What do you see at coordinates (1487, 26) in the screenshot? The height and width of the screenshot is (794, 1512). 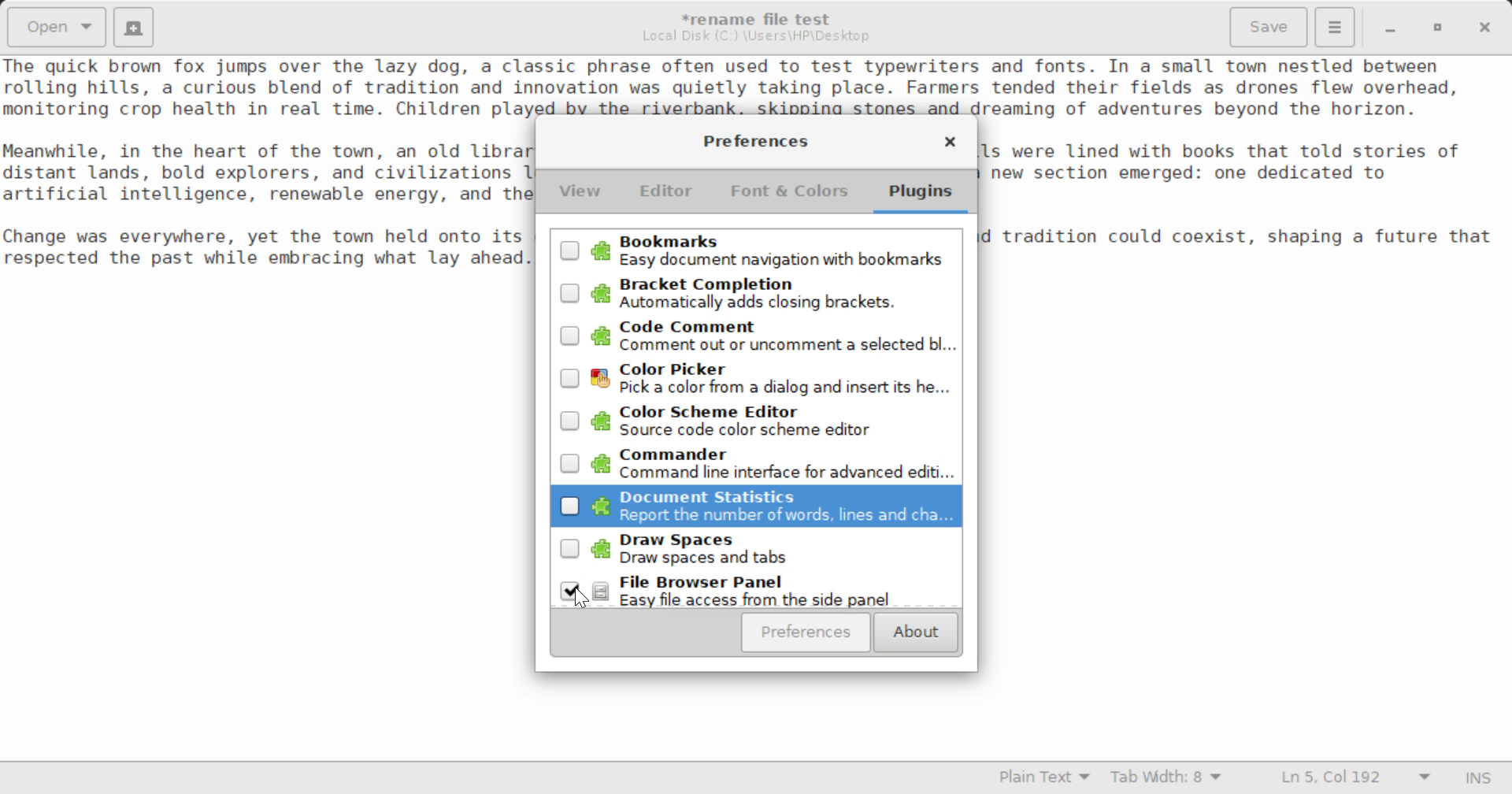 I see `Close Window` at bounding box center [1487, 26].